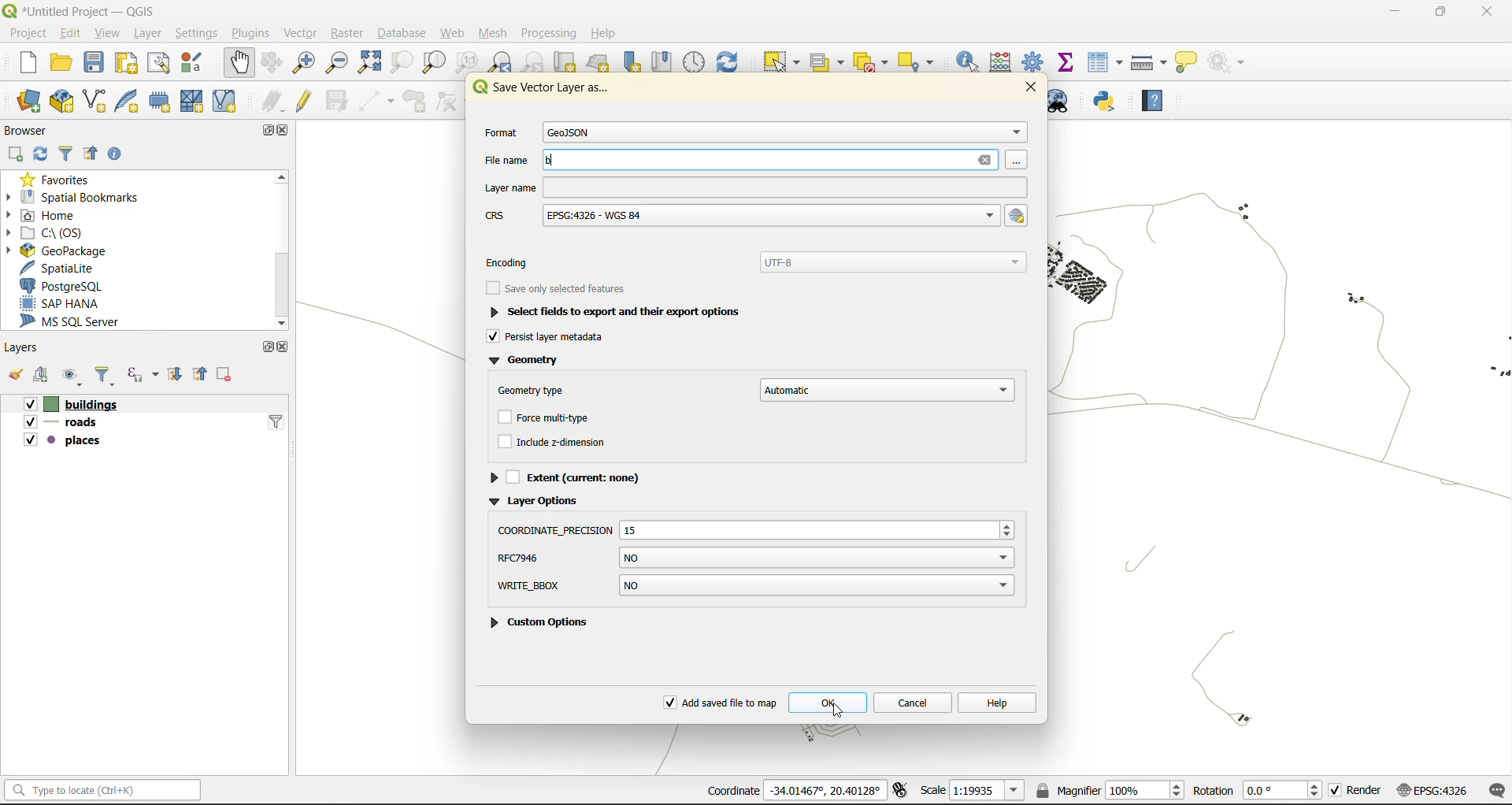 Image resolution: width=1512 pixels, height=805 pixels. What do you see at coordinates (336, 99) in the screenshot?
I see `save edits` at bounding box center [336, 99].